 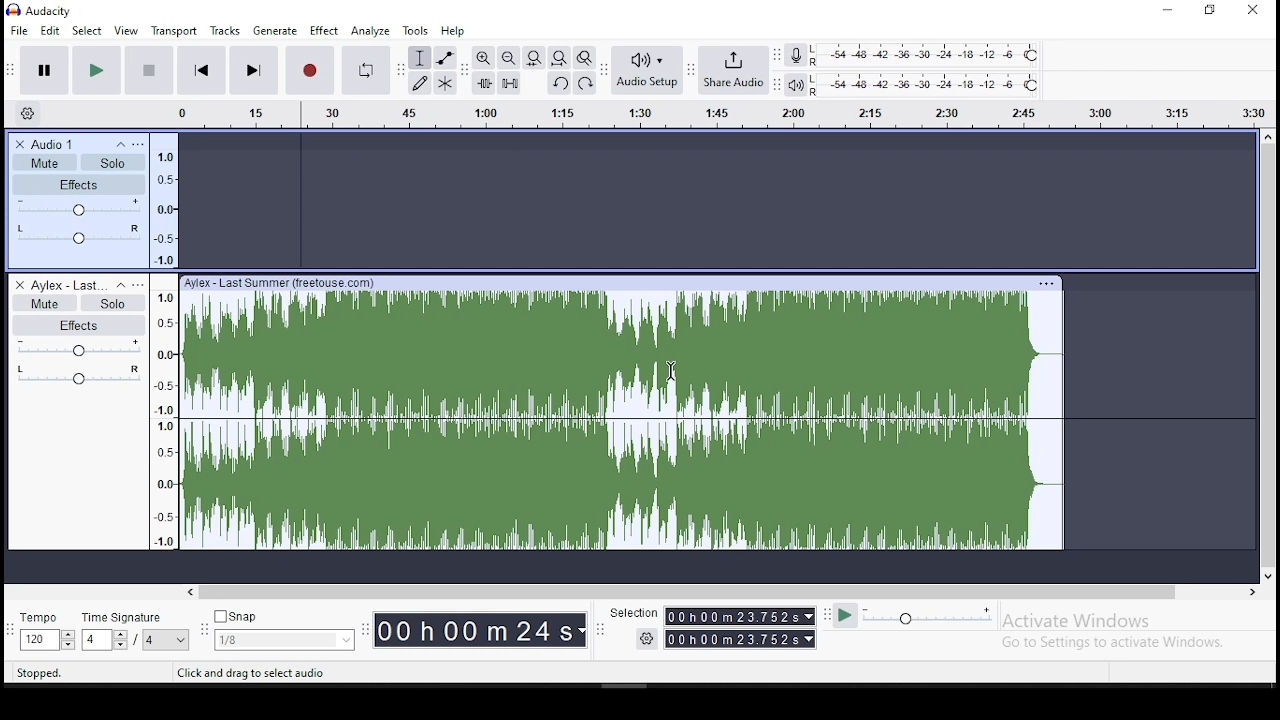 I want to click on envelope tool, so click(x=444, y=58).